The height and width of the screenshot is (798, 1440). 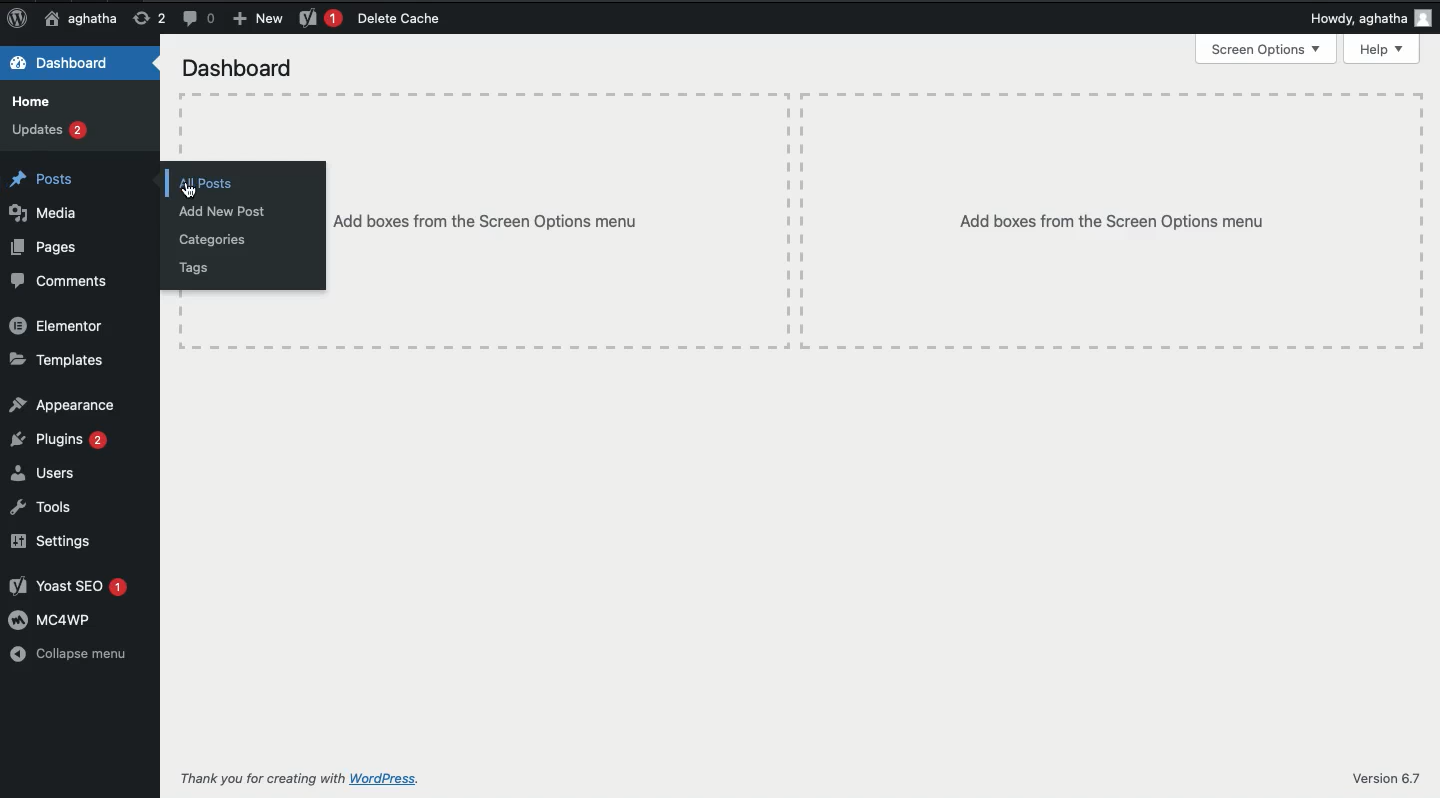 I want to click on Pages, so click(x=43, y=245).